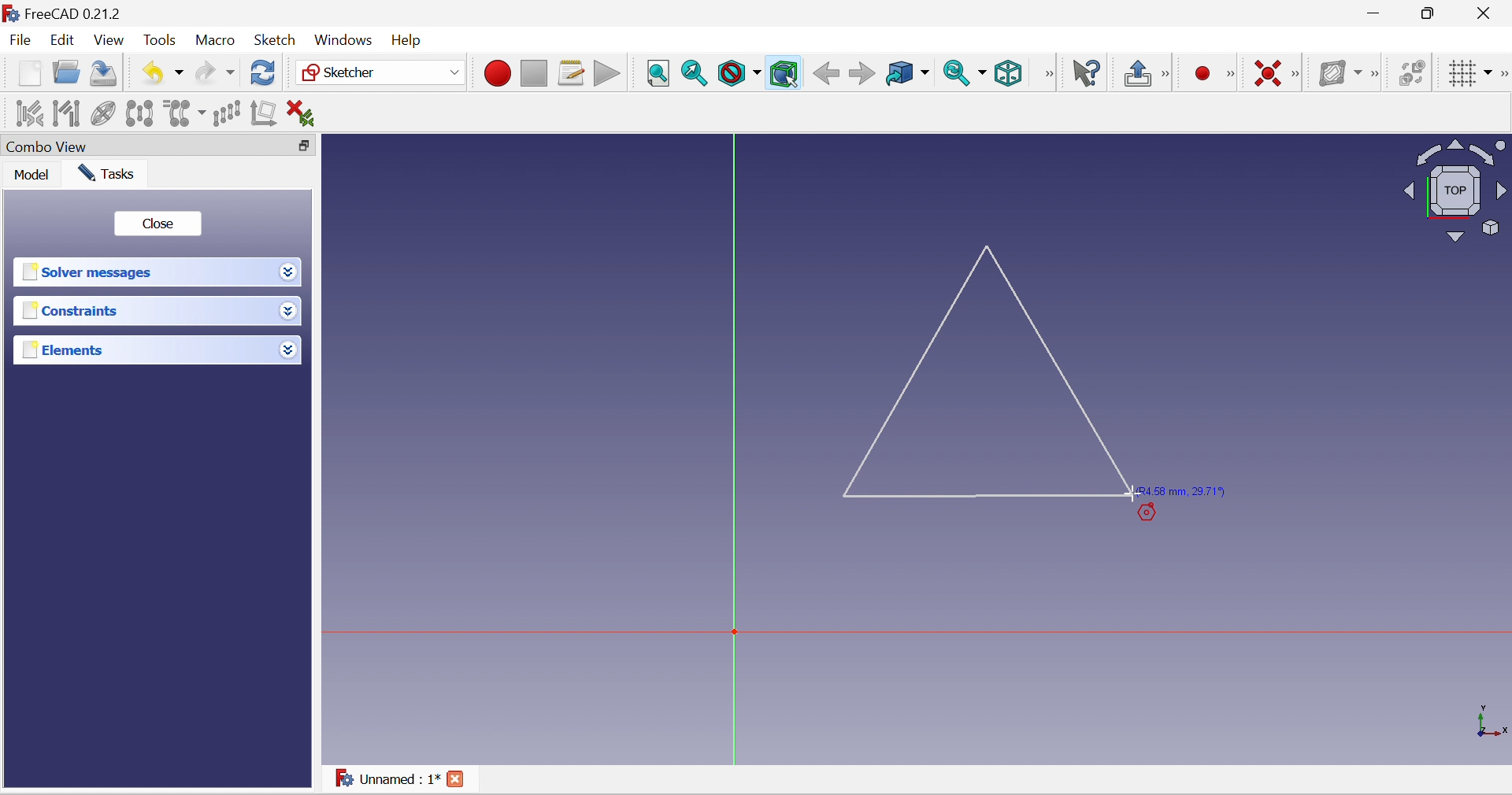  I want to click on Triangle, so click(986, 368).